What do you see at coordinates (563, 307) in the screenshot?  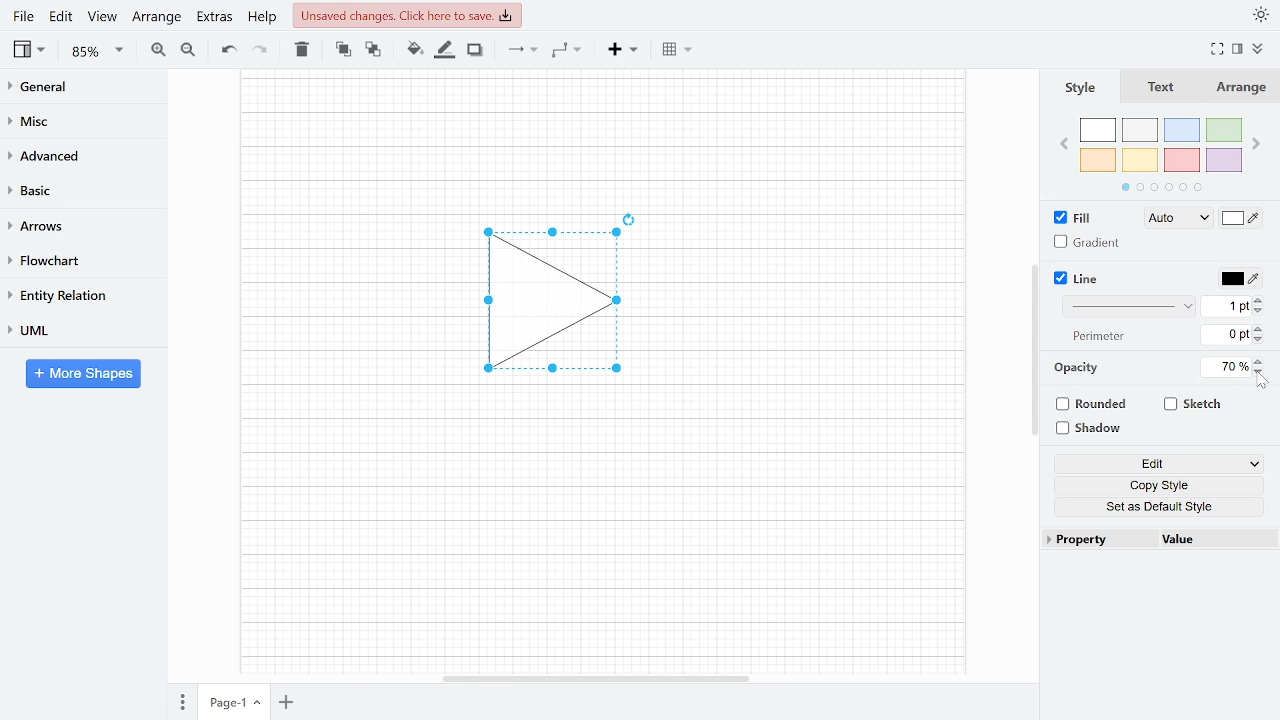 I see `Triangle` at bounding box center [563, 307].